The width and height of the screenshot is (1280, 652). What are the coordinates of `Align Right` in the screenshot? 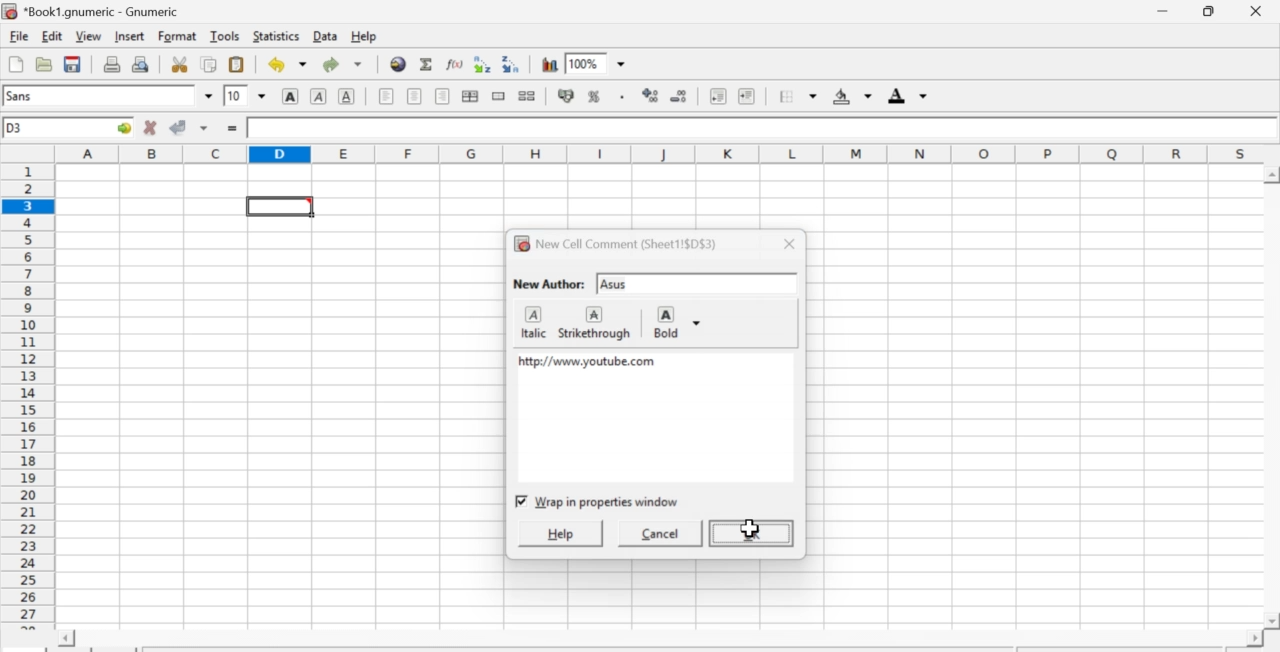 It's located at (443, 97).